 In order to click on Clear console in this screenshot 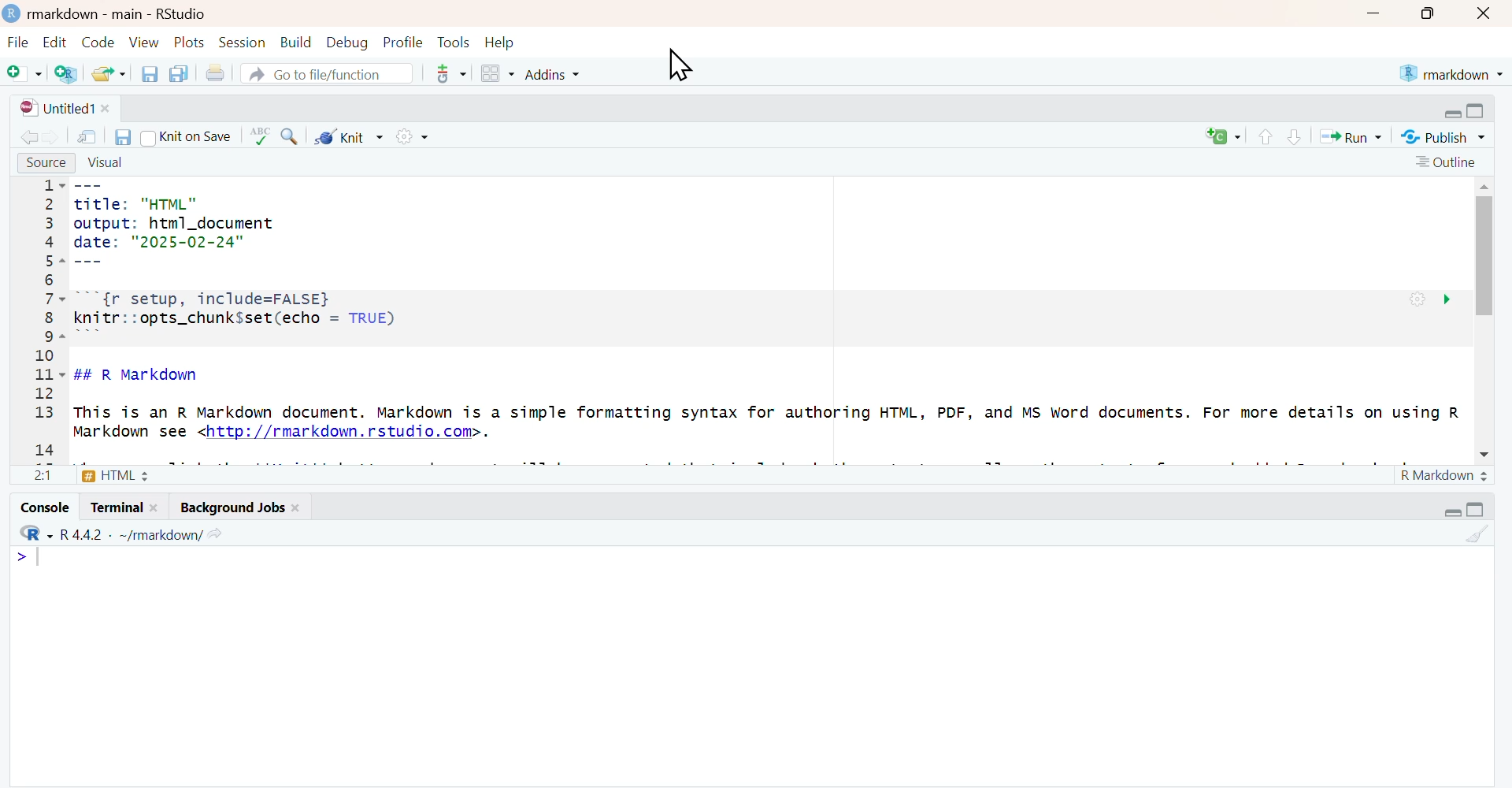, I will do `click(1475, 534)`.